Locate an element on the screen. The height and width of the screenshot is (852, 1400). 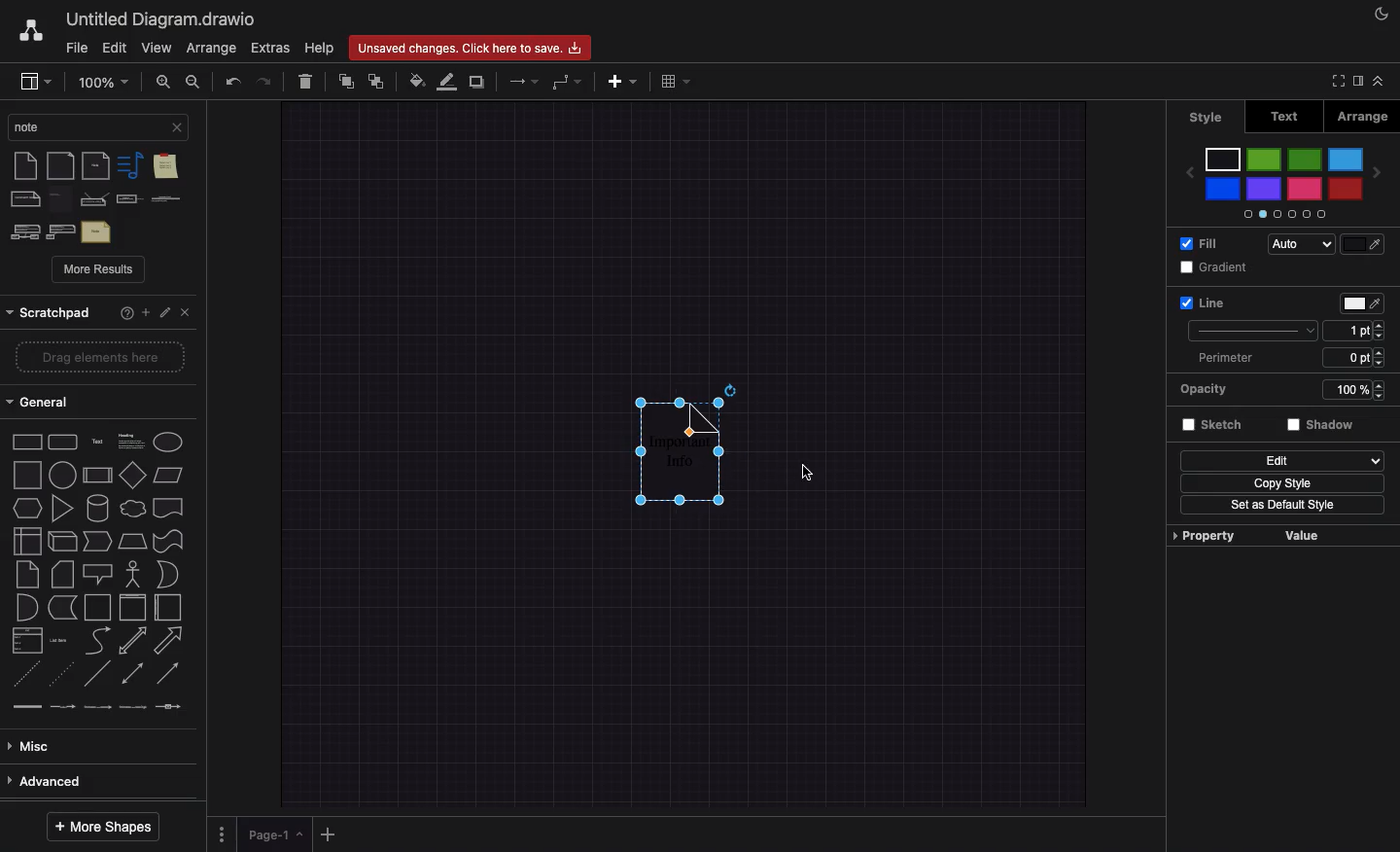
cylinder is located at coordinates (99, 508).